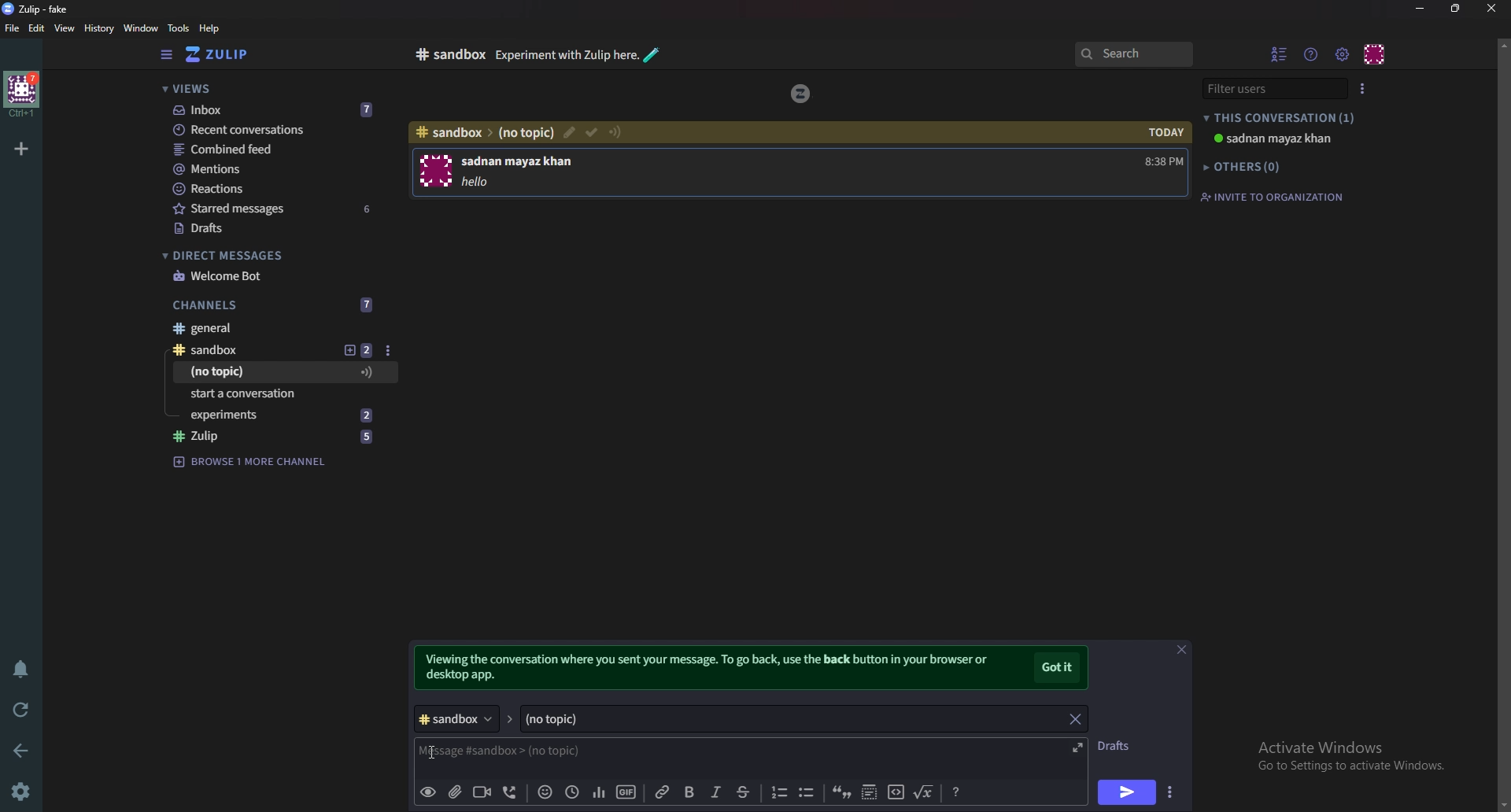  What do you see at coordinates (593, 131) in the screenshot?
I see `resolved` at bounding box center [593, 131].